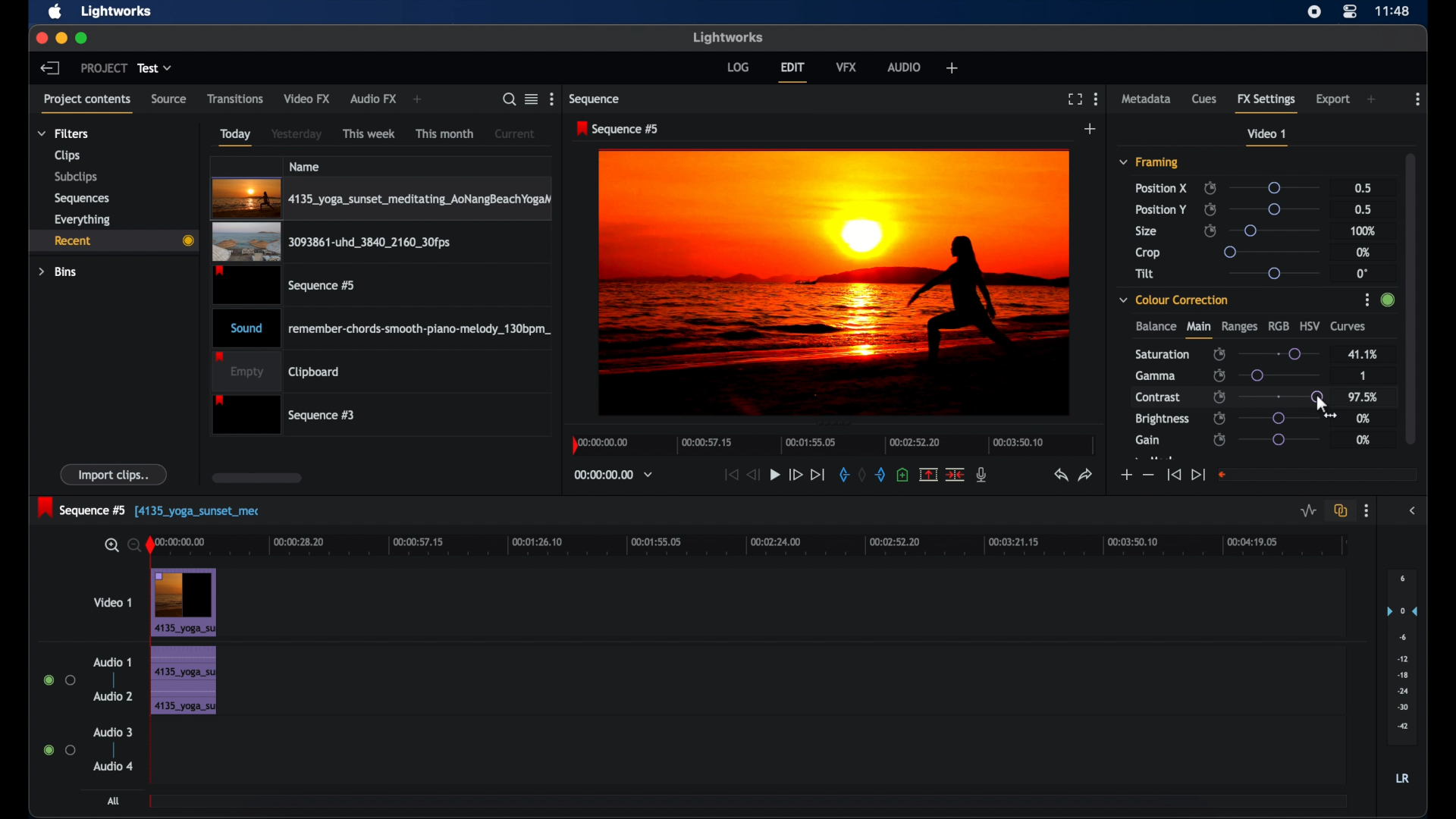 Image resolution: width=1456 pixels, height=819 pixels. Describe the element at coordinates (1155, 327) in the screenshot. I see `balance` at that location.